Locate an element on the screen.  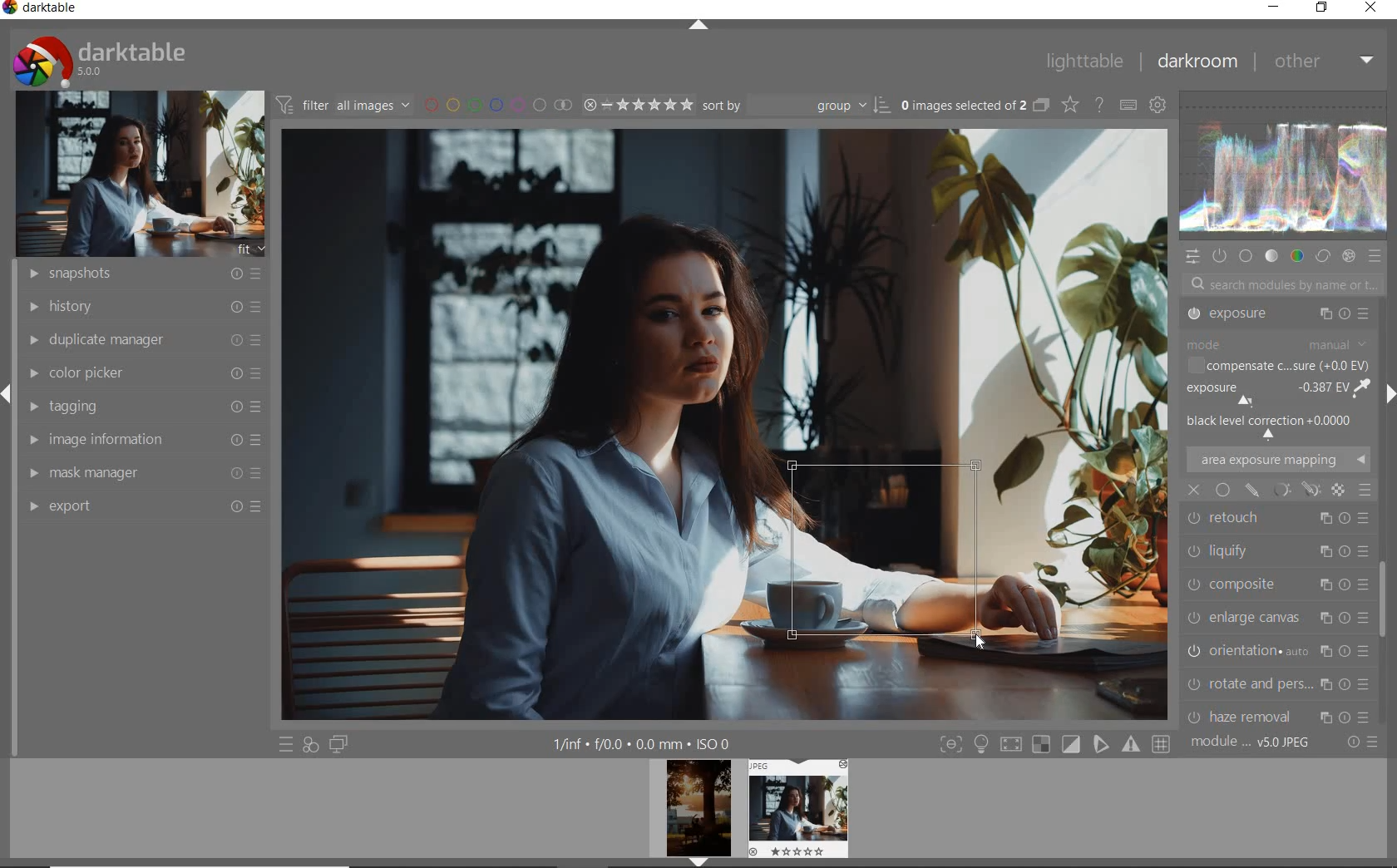
SEARCH MODULES is located at coordinates (1283, 284).